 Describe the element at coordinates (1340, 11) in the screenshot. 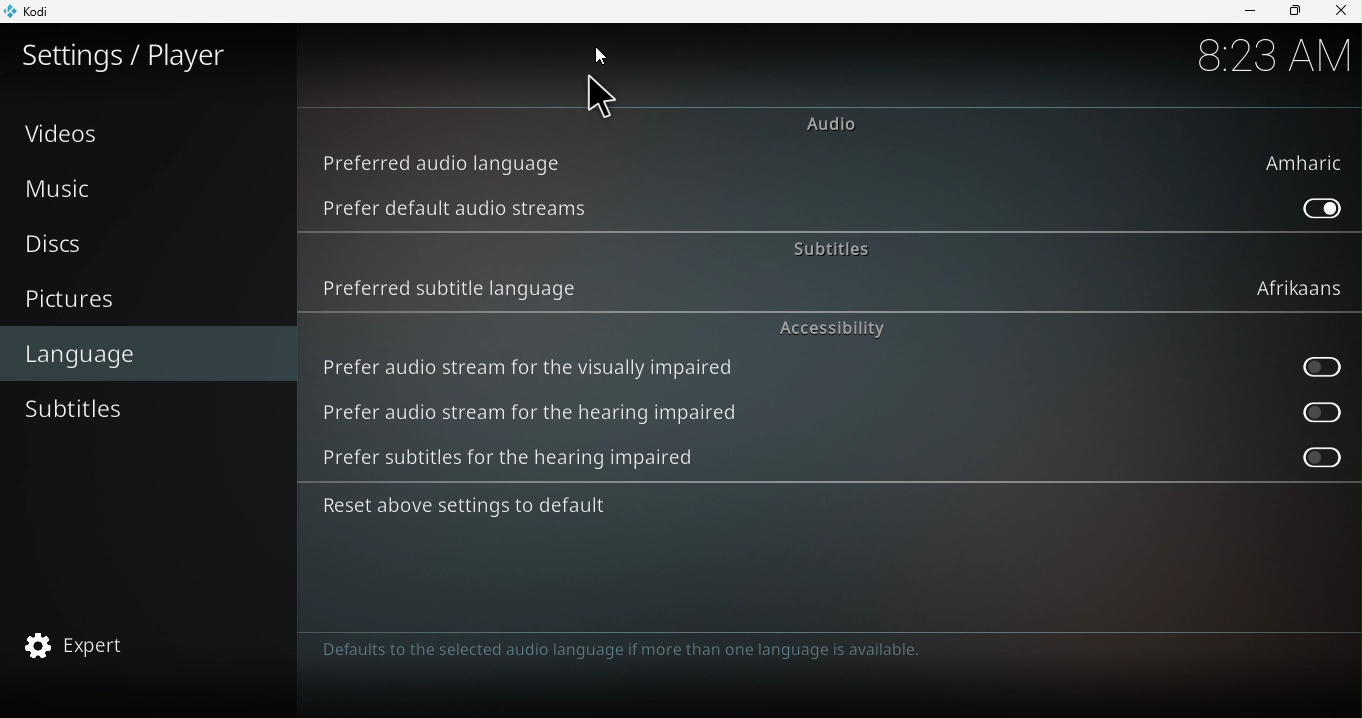

I see `Close` at that location.